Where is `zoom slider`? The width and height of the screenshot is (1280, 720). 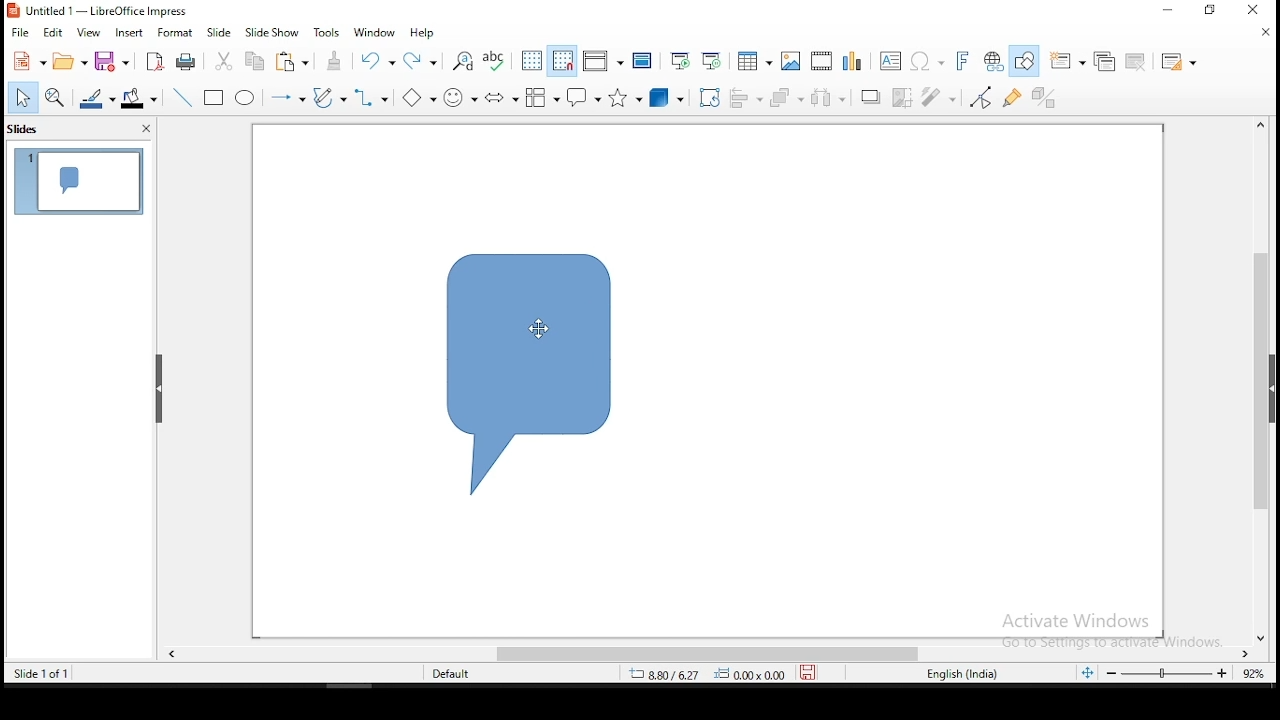 zoom slider is located at coordinates (1169, 675).